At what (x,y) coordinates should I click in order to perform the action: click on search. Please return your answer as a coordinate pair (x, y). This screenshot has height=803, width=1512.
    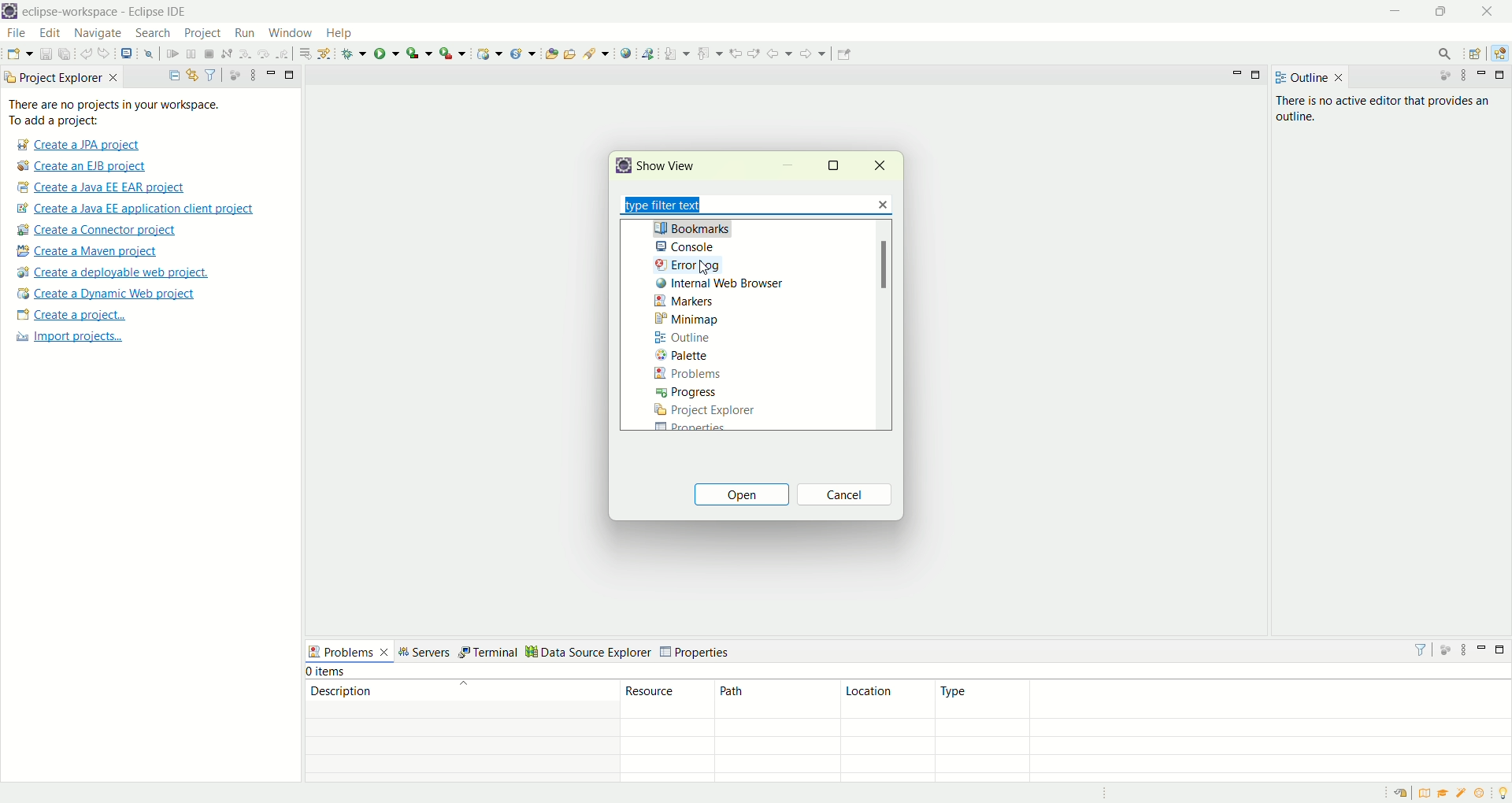
    Looking at the image, I should click on (595, 54).